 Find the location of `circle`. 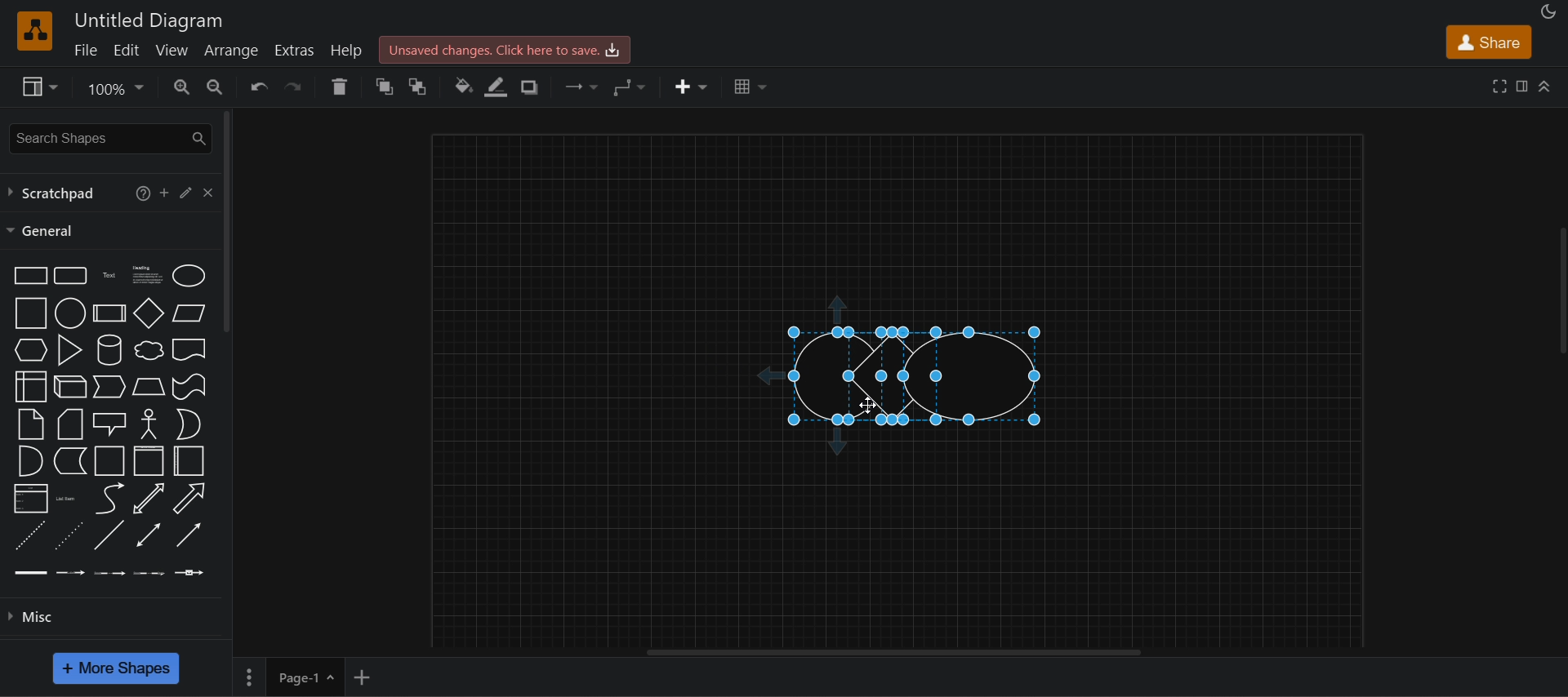

circle is located at coordinates (69, 313).